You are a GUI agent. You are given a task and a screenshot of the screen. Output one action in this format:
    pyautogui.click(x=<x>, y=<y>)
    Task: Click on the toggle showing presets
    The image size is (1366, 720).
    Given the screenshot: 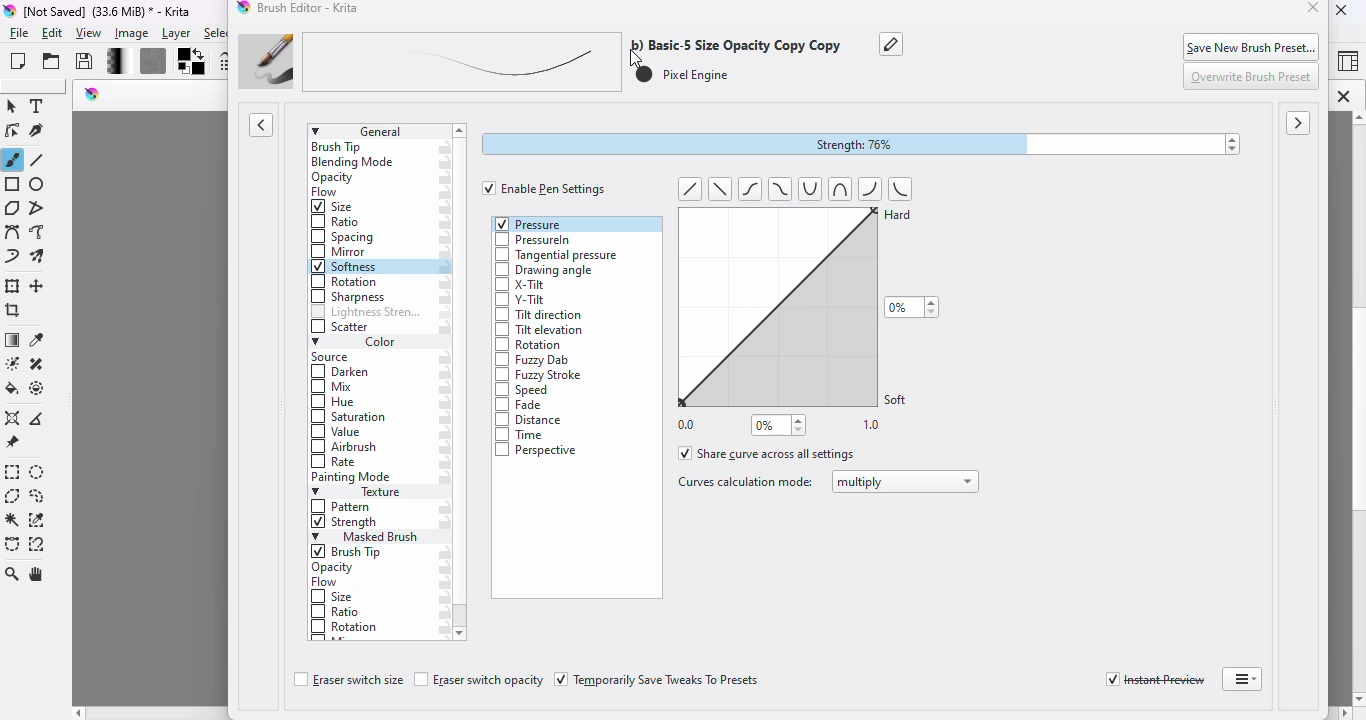 What is the action you would take?
    pyautogui.click(x=262, y=125)
    